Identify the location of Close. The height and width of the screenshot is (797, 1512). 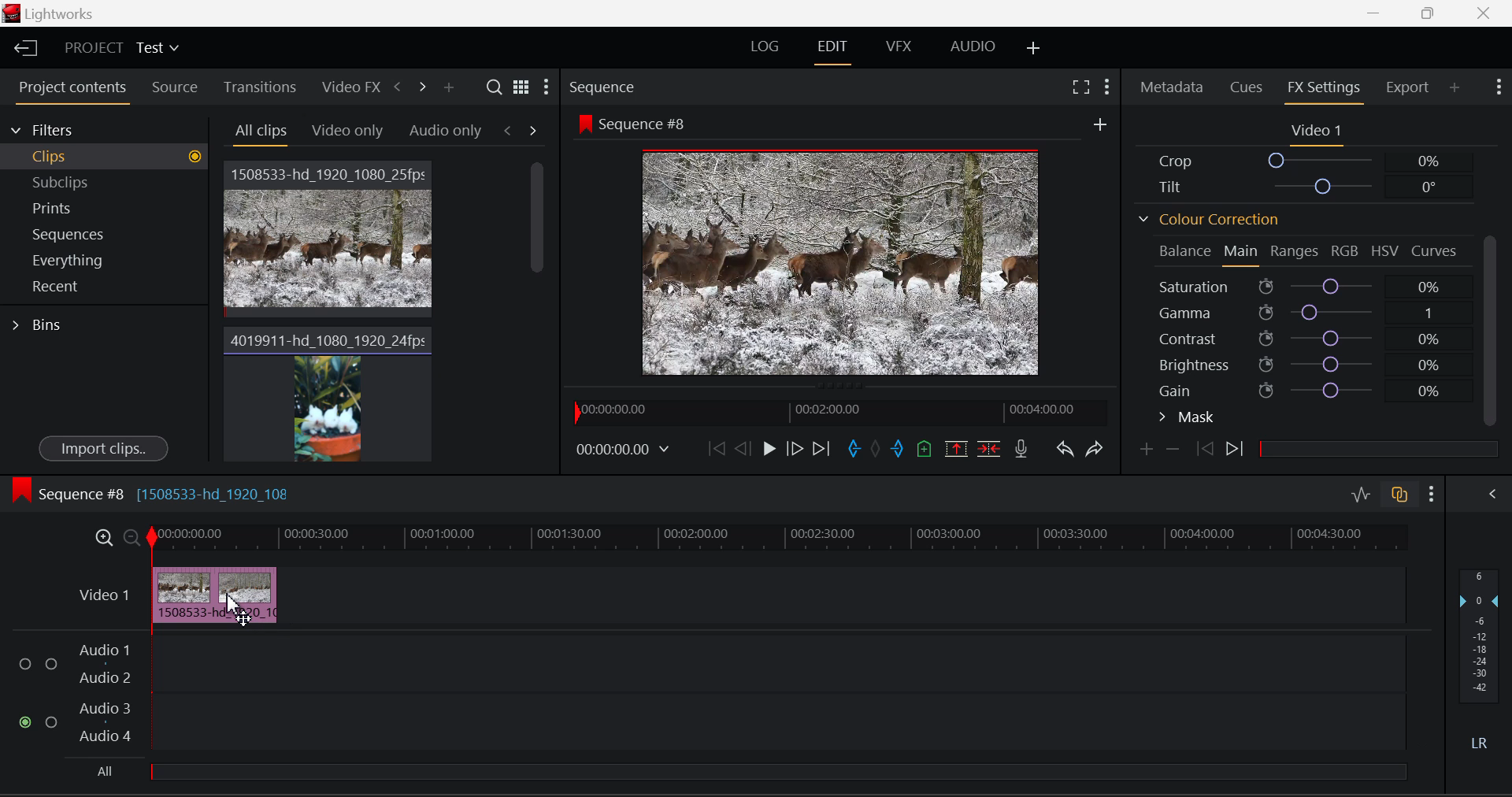
(1484, 13).